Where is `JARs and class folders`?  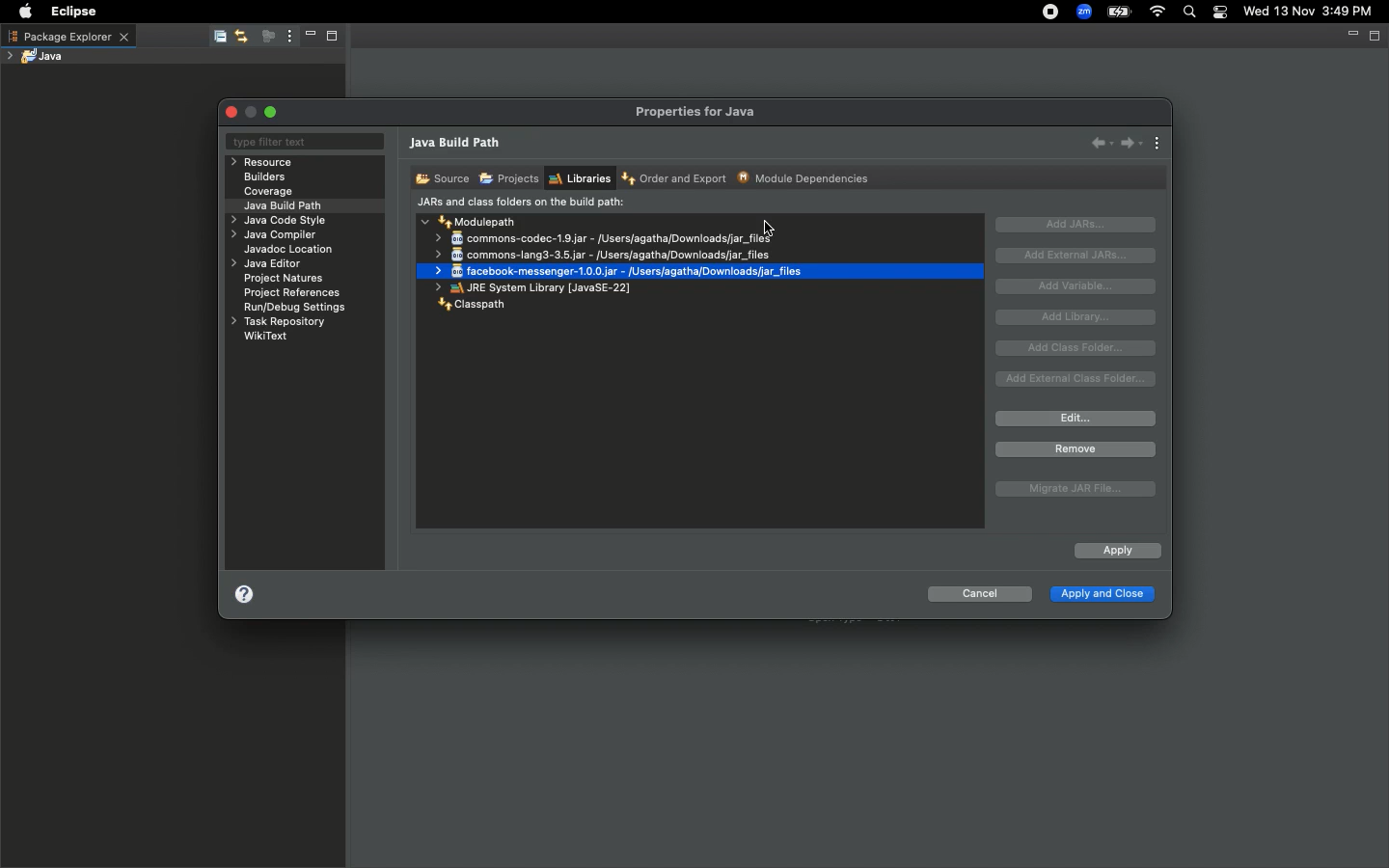 JARs and class folders is located at coordinates (521, 203).